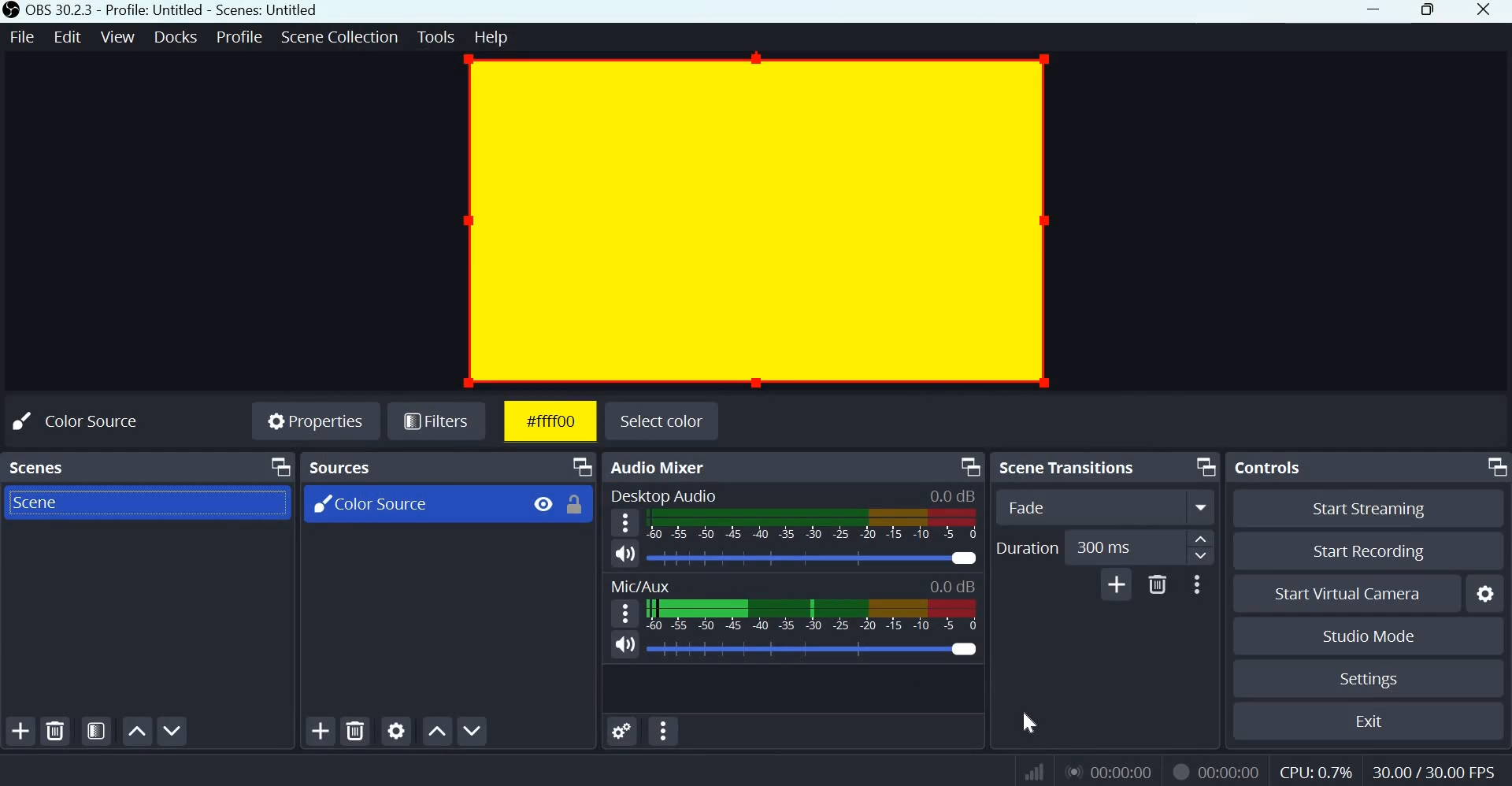  What do you see at coordinates (1347, 595) in the screenshot?
I see `Start Virual Camera` at bounding box center [1347, 595].